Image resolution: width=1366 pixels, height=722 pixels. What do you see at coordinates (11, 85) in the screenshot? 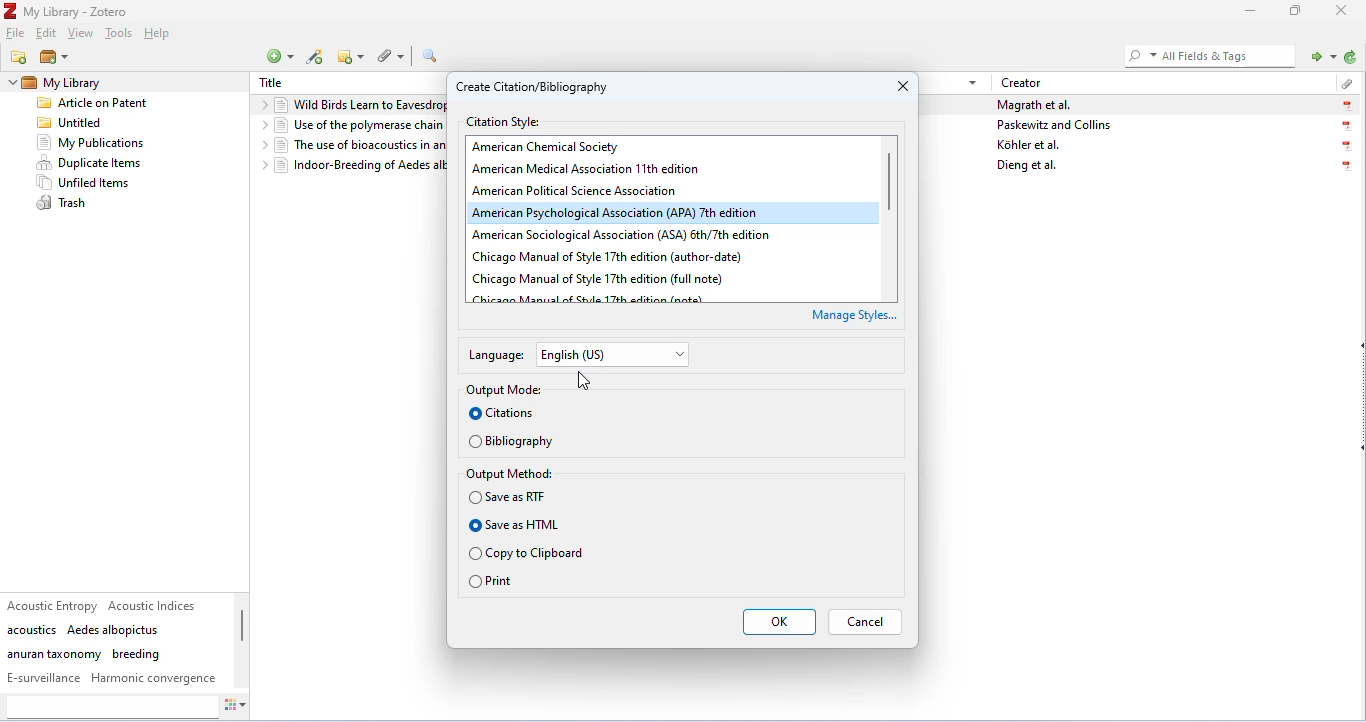
I see `drop down` at bounding box center [11, 85].